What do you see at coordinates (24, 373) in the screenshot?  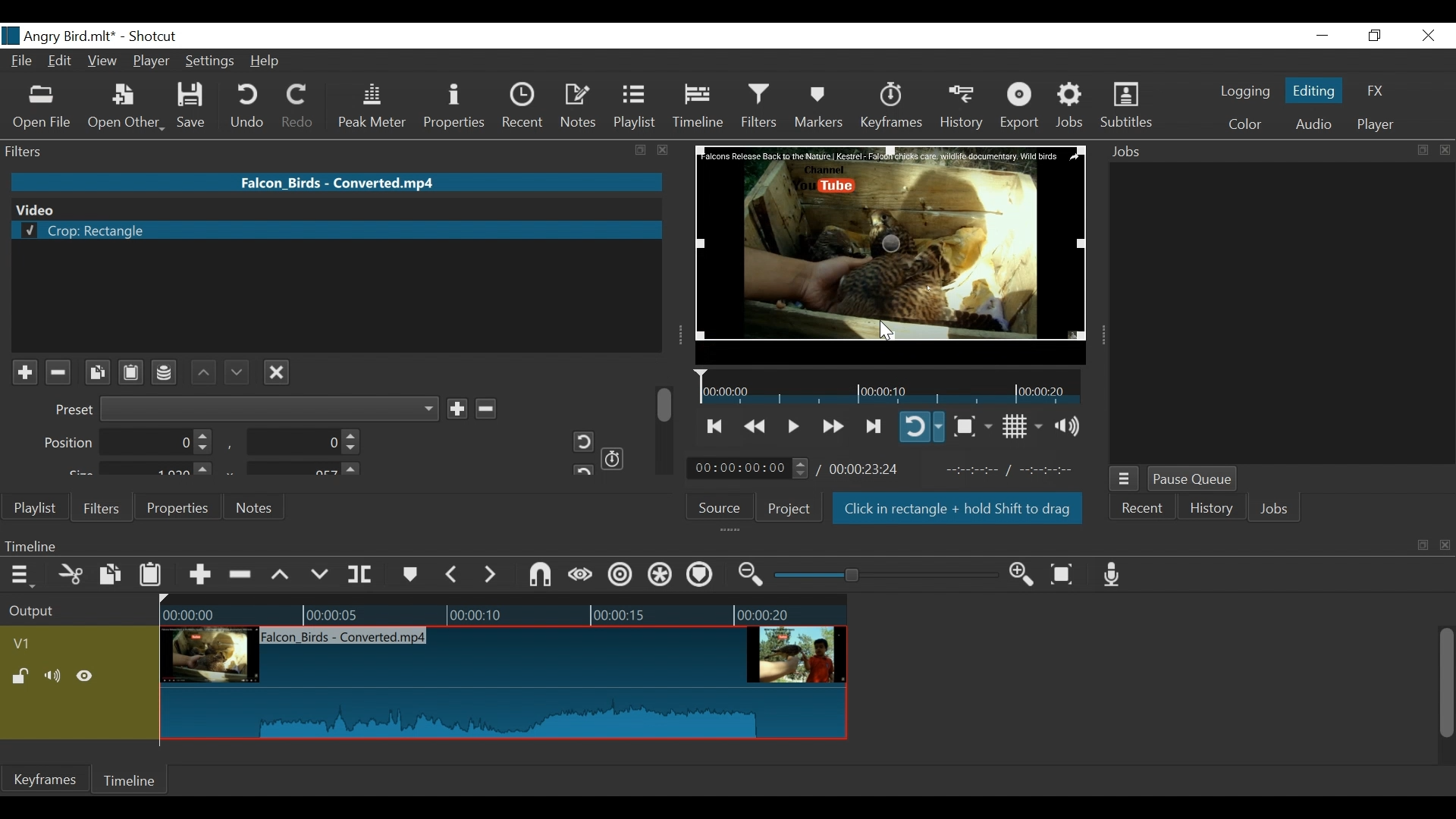 I see `Plus` at bounding box center [24, 373].